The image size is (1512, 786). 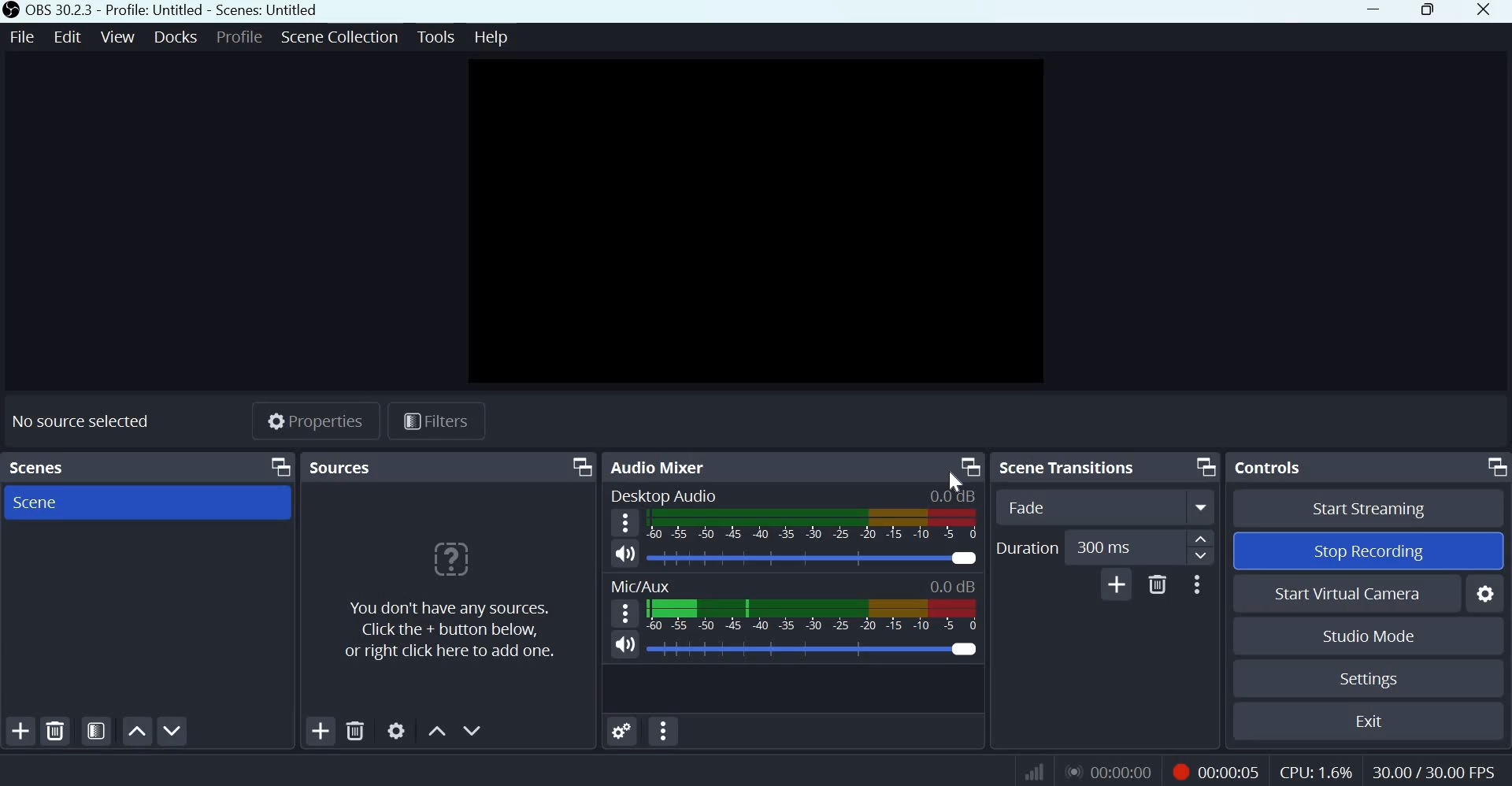 I want to click on Speaker Icon, so click(x=625, y=553).